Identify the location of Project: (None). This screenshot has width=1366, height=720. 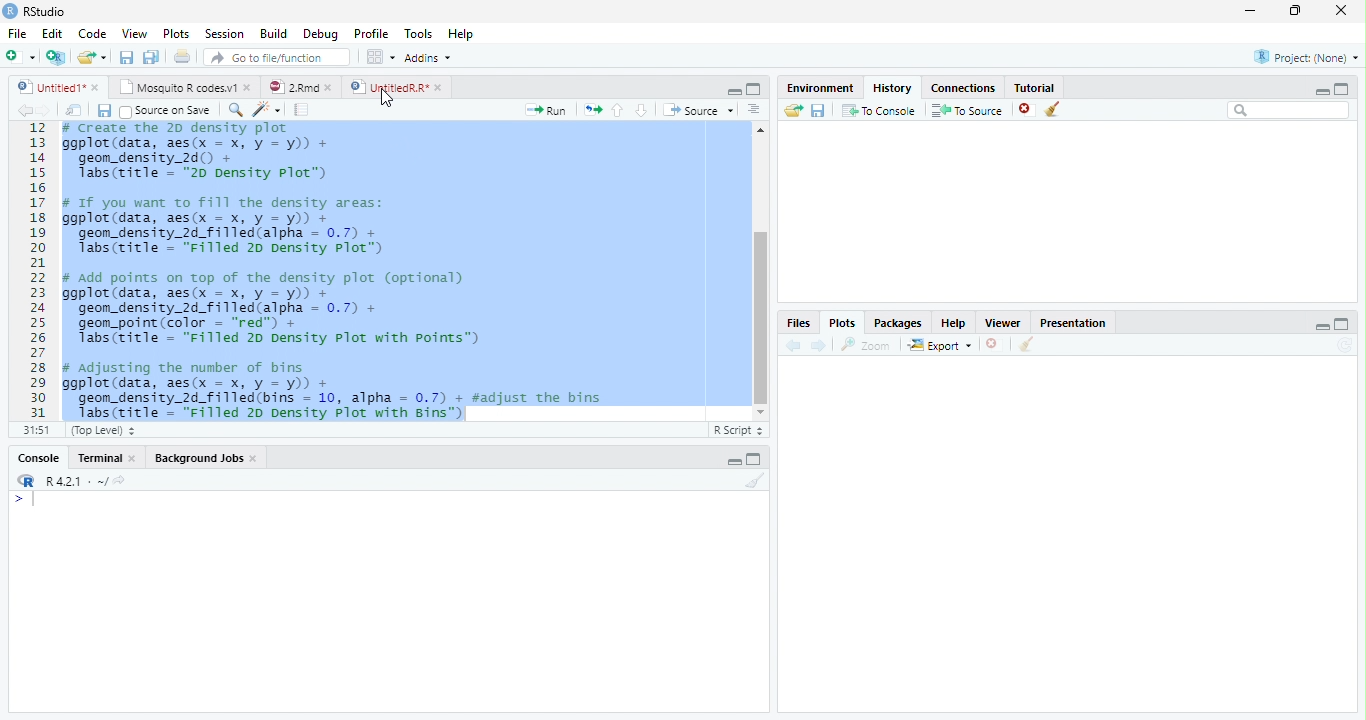
(1305, 57).